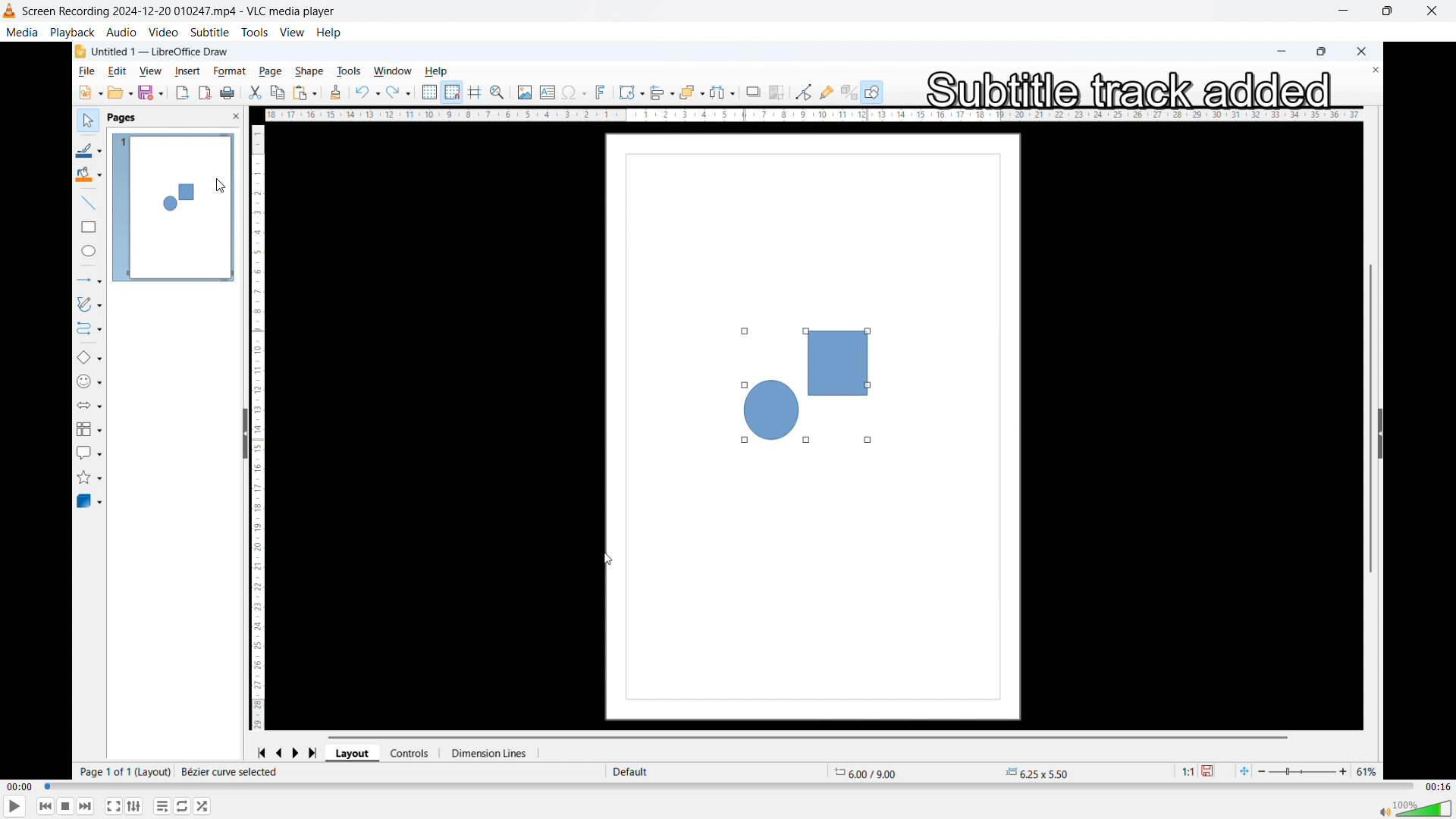  I want to click on line, so click(86, 203).